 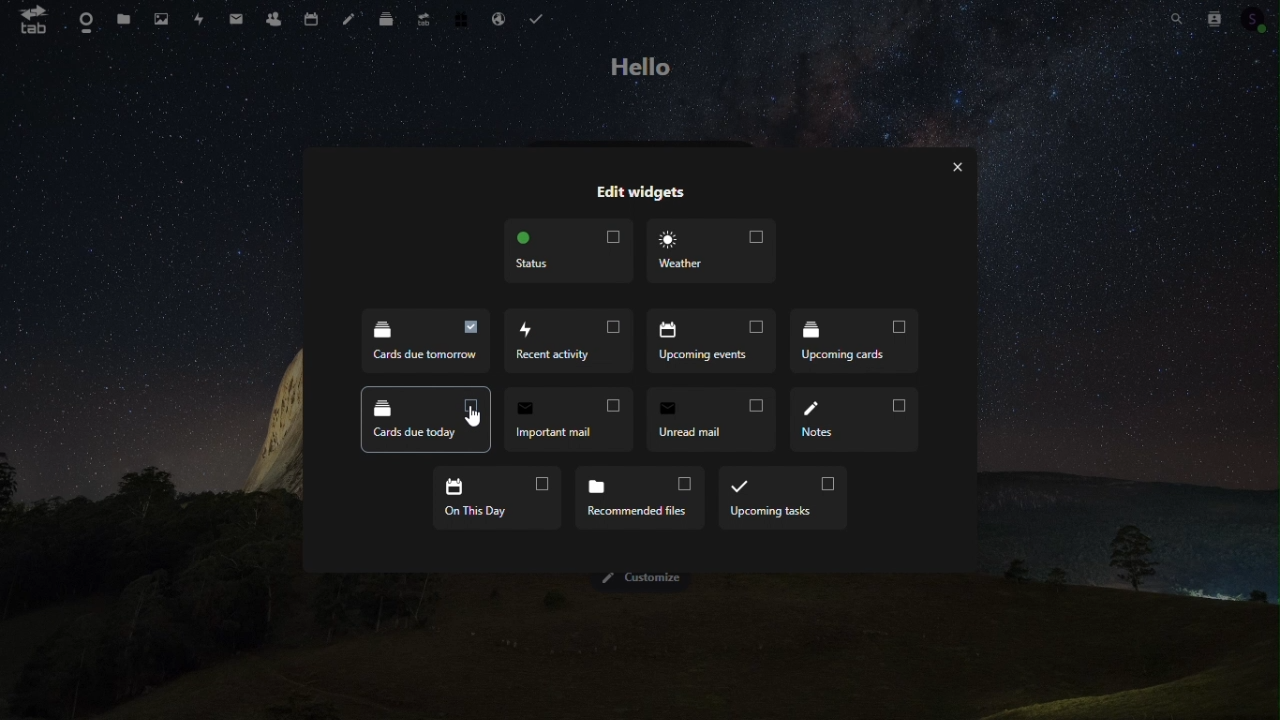 I want to click on Account icon, so click(x=1256, y=19).